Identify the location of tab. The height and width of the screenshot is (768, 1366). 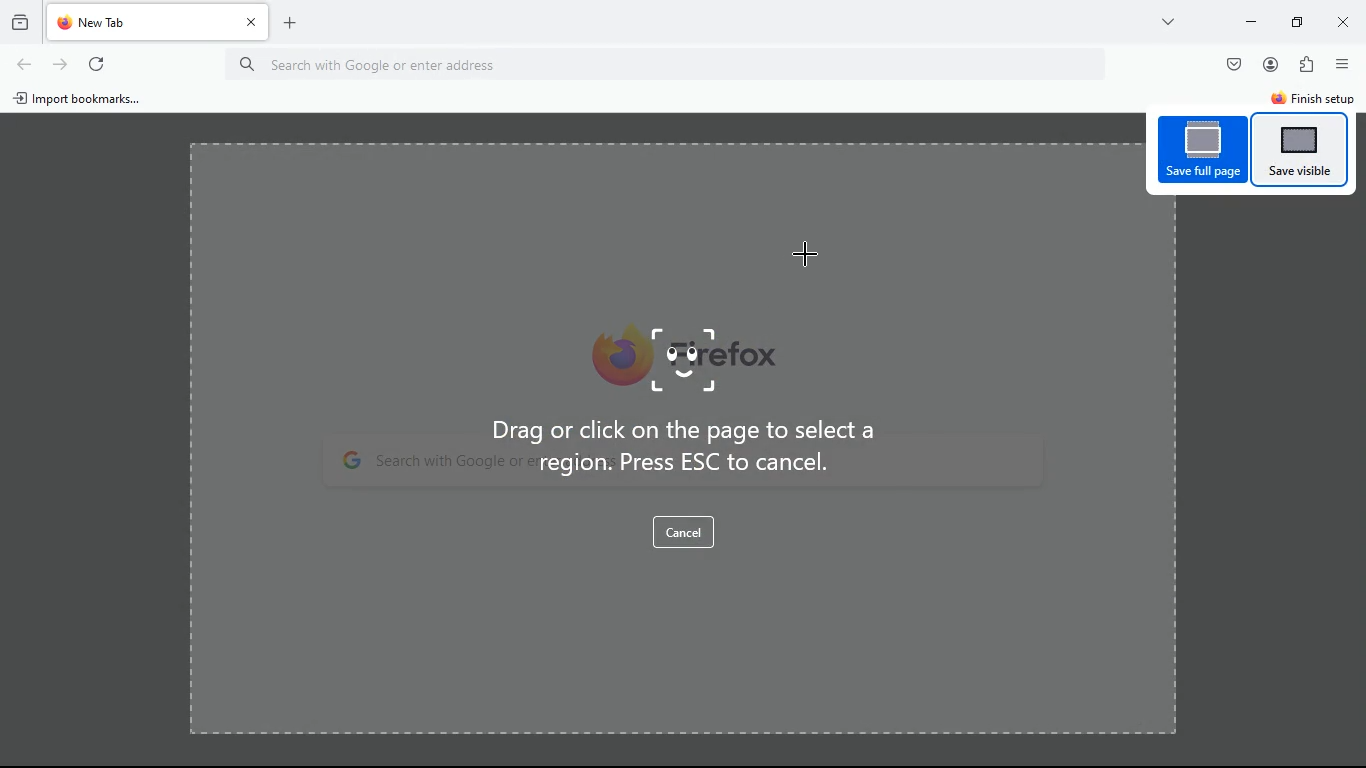
(161, 22).